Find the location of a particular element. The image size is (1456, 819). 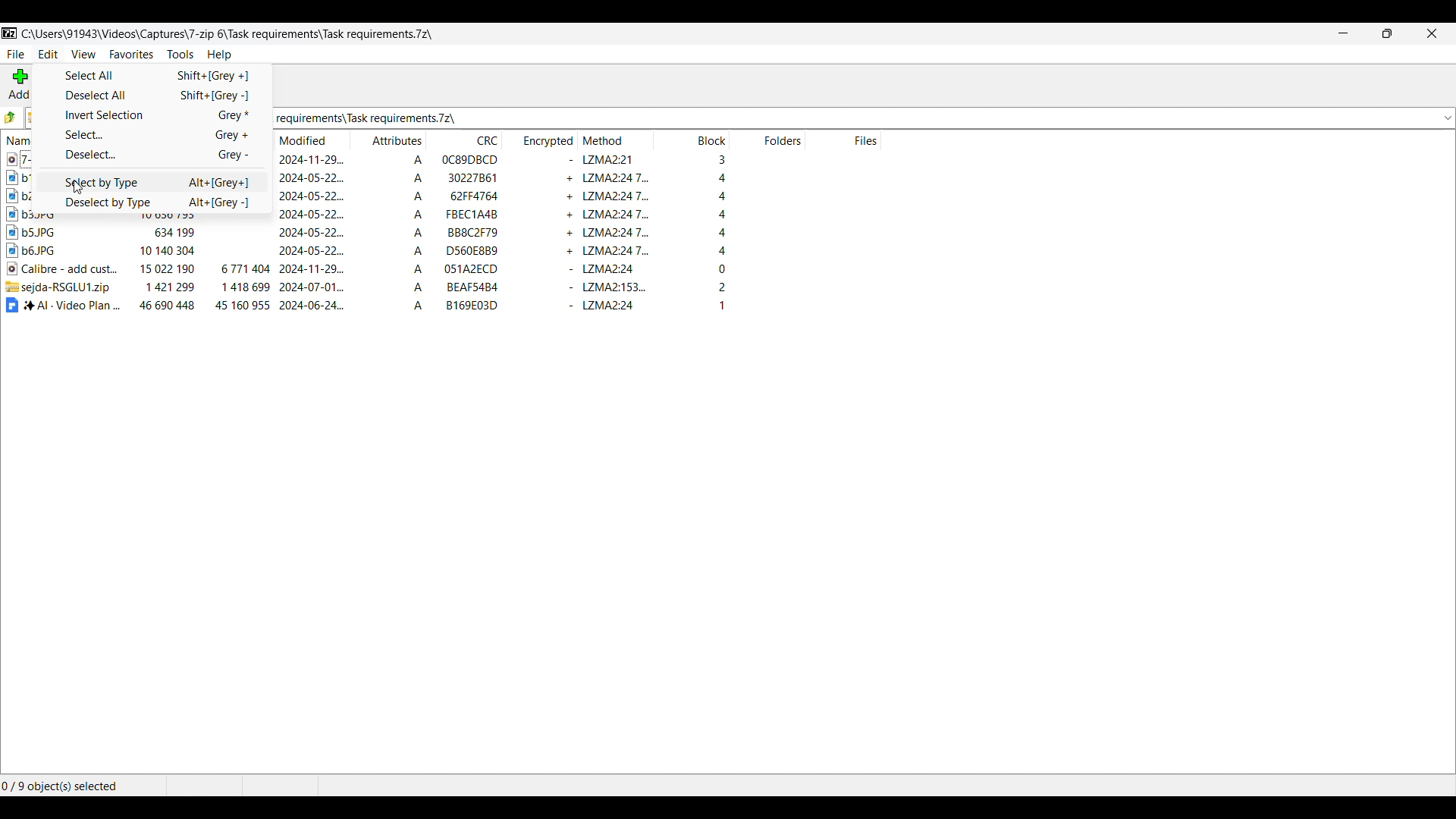

document file is located at coordinates (64, 305).